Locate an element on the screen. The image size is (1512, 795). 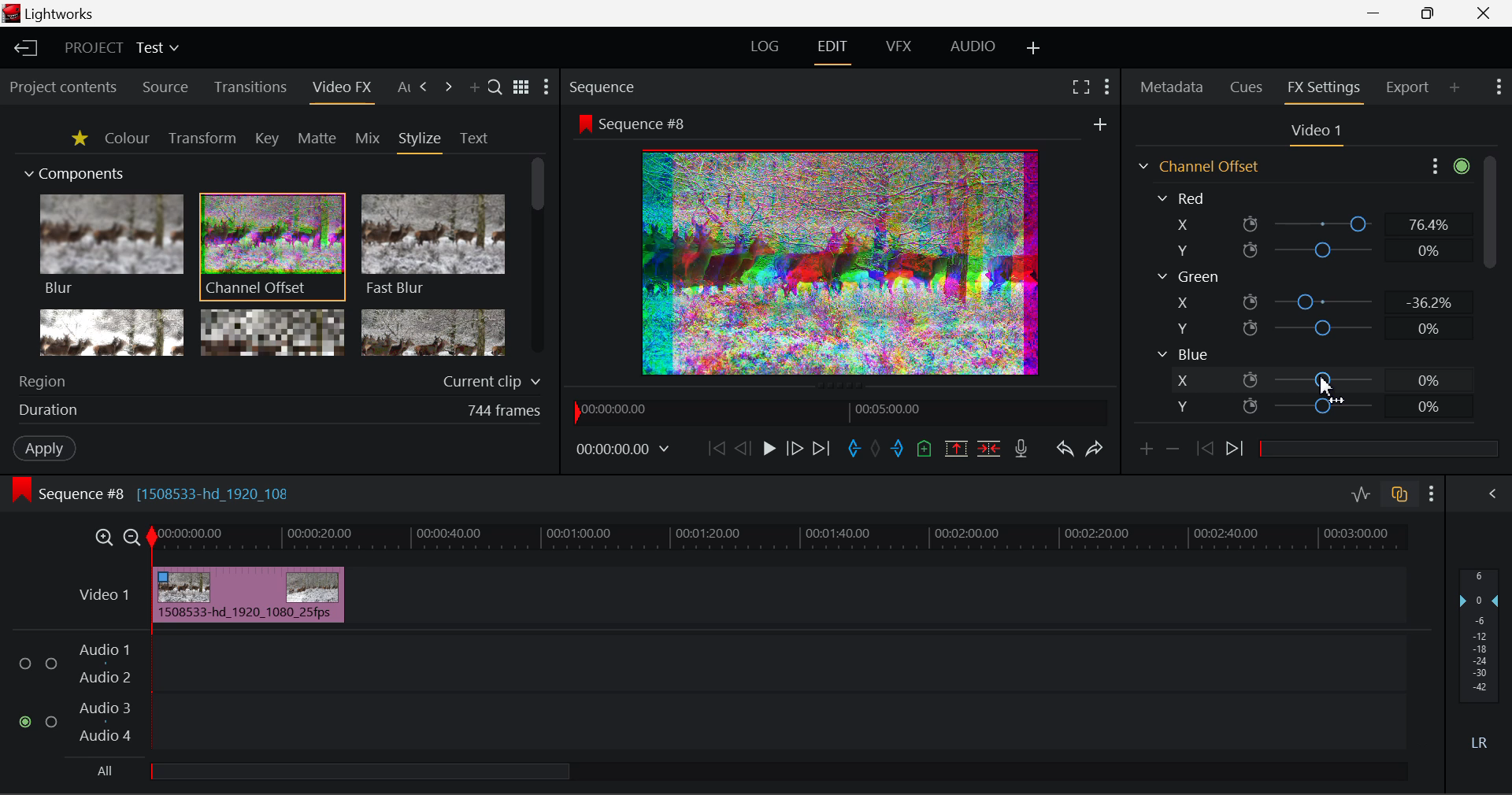
Remove keyframe is located at coordinates (1173, 453).